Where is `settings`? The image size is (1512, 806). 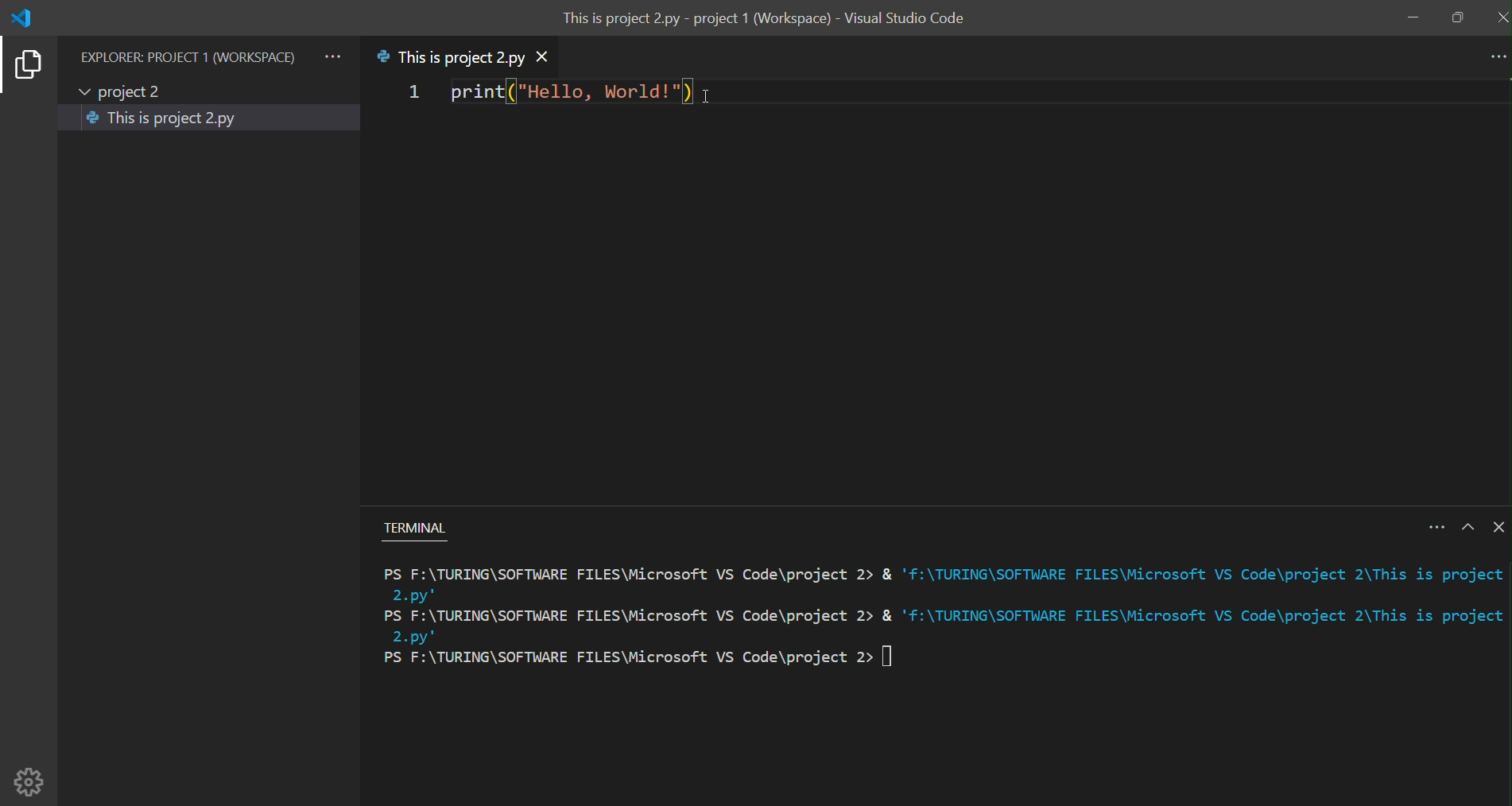
settings is located at coordinates (41, 774).